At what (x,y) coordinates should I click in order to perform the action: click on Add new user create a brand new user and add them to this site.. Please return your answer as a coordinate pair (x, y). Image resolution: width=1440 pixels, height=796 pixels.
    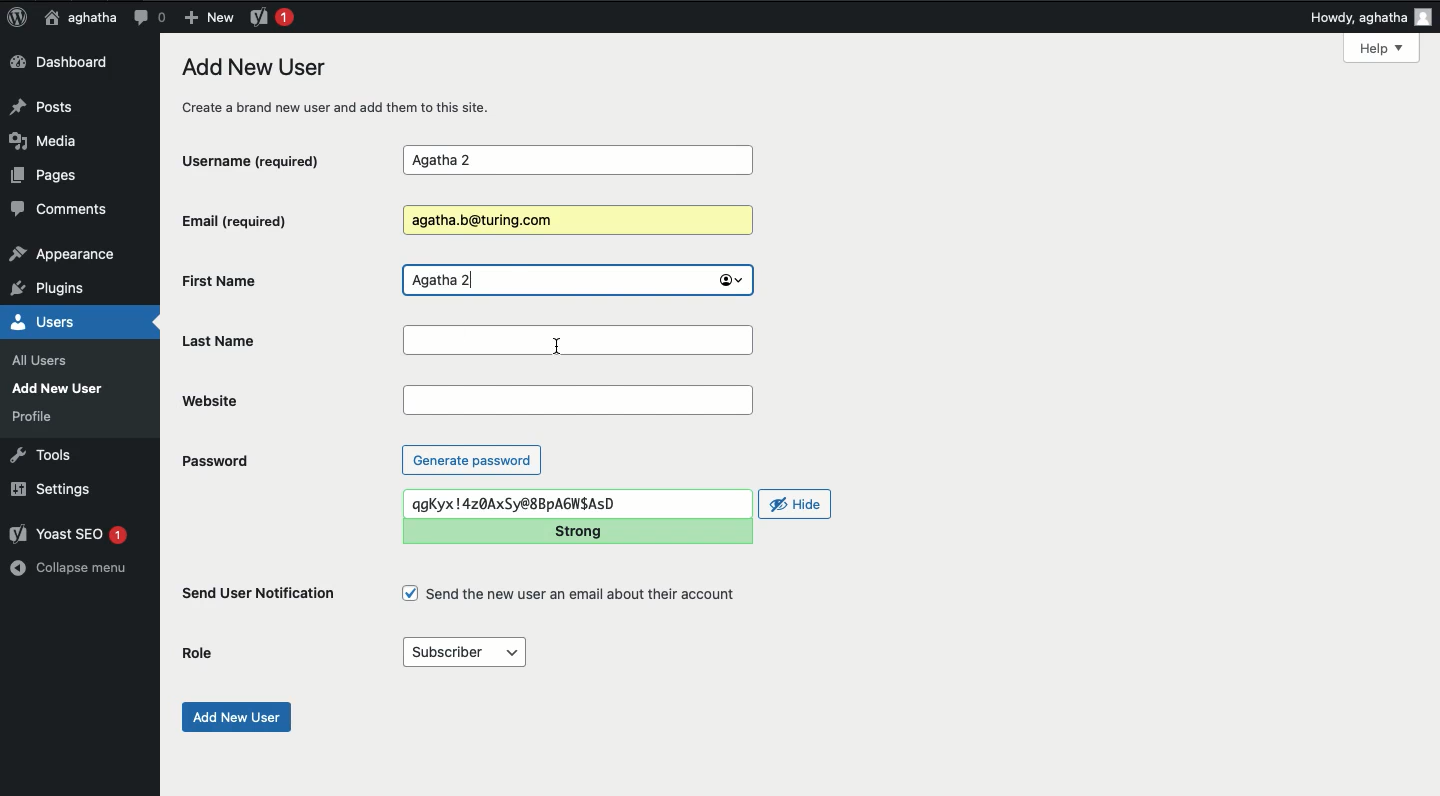
    Looking at the image, I should click on (347, 86).